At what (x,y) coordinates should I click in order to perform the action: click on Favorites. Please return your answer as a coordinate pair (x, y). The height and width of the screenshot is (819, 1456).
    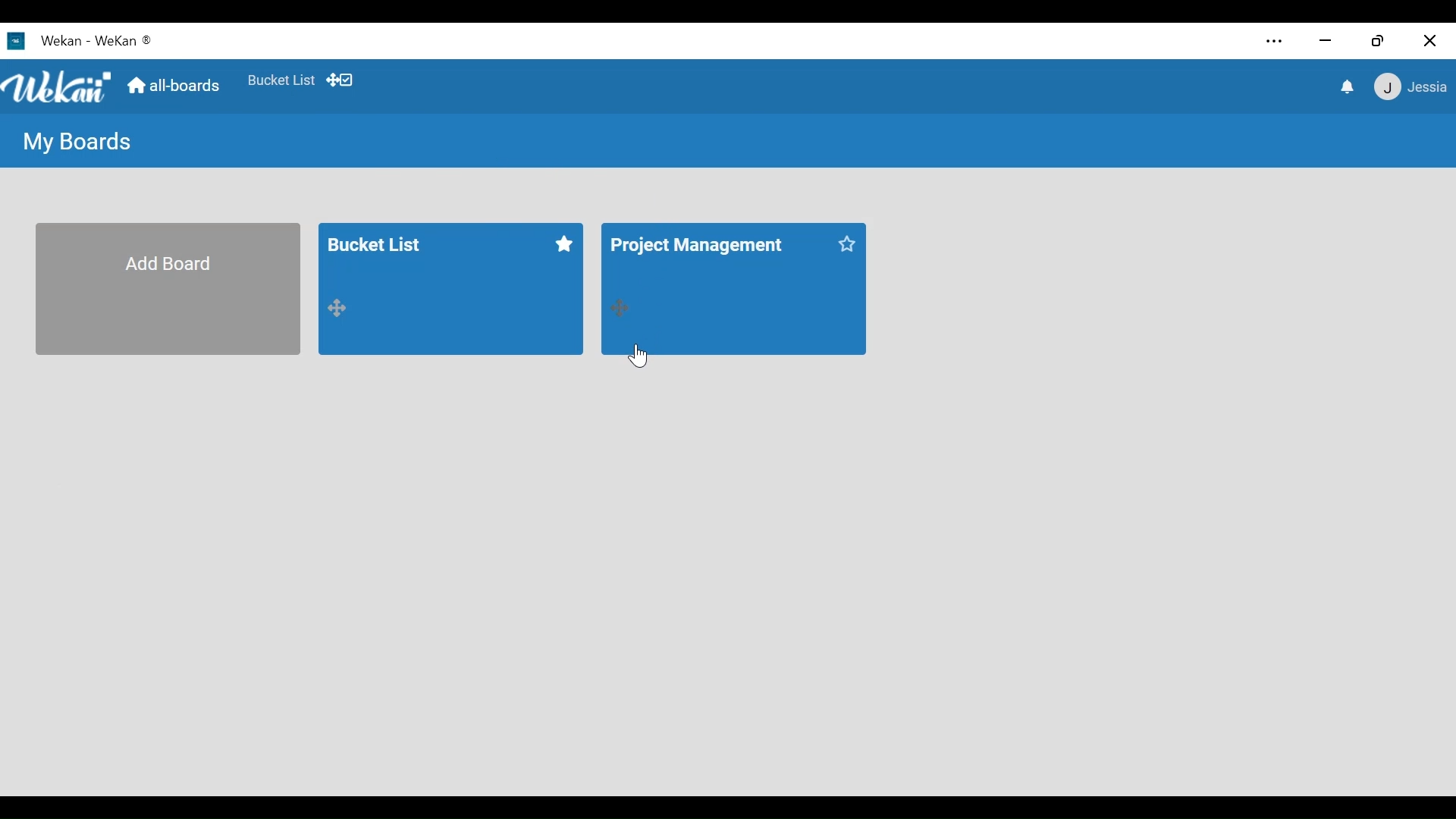
    Looking at the image, I should click on (281, 80).